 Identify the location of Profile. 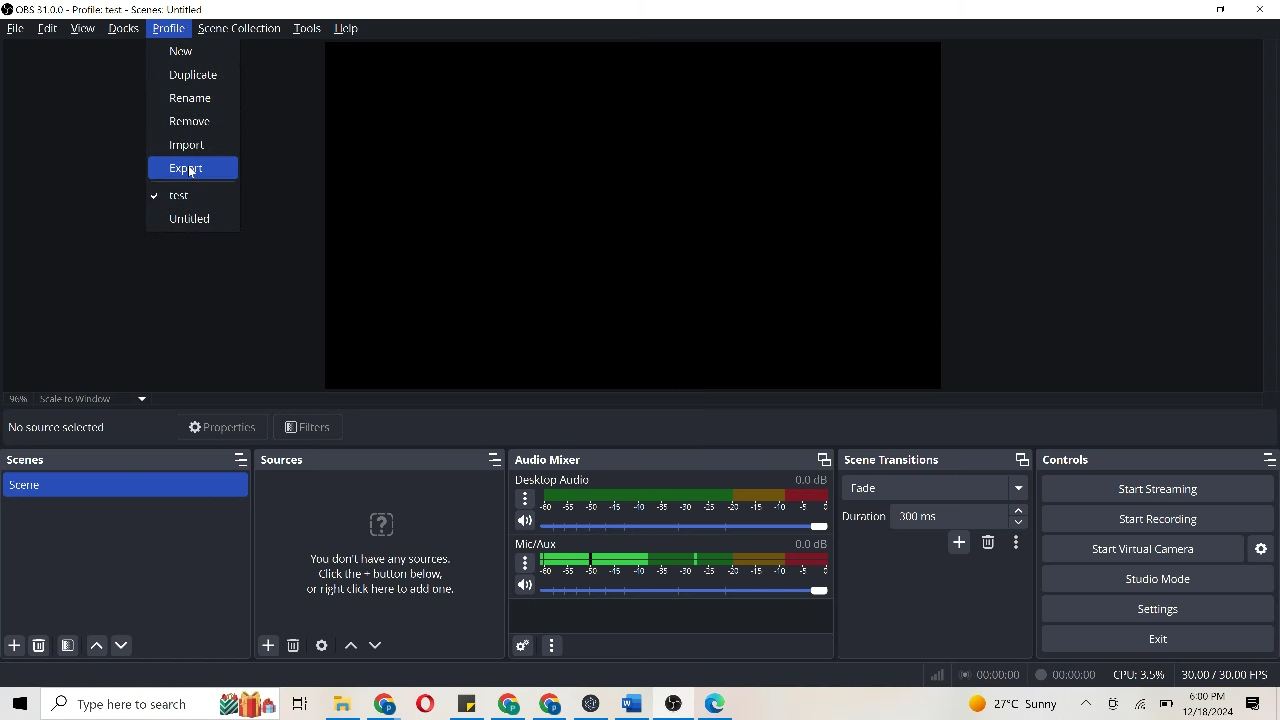
(166, 29).